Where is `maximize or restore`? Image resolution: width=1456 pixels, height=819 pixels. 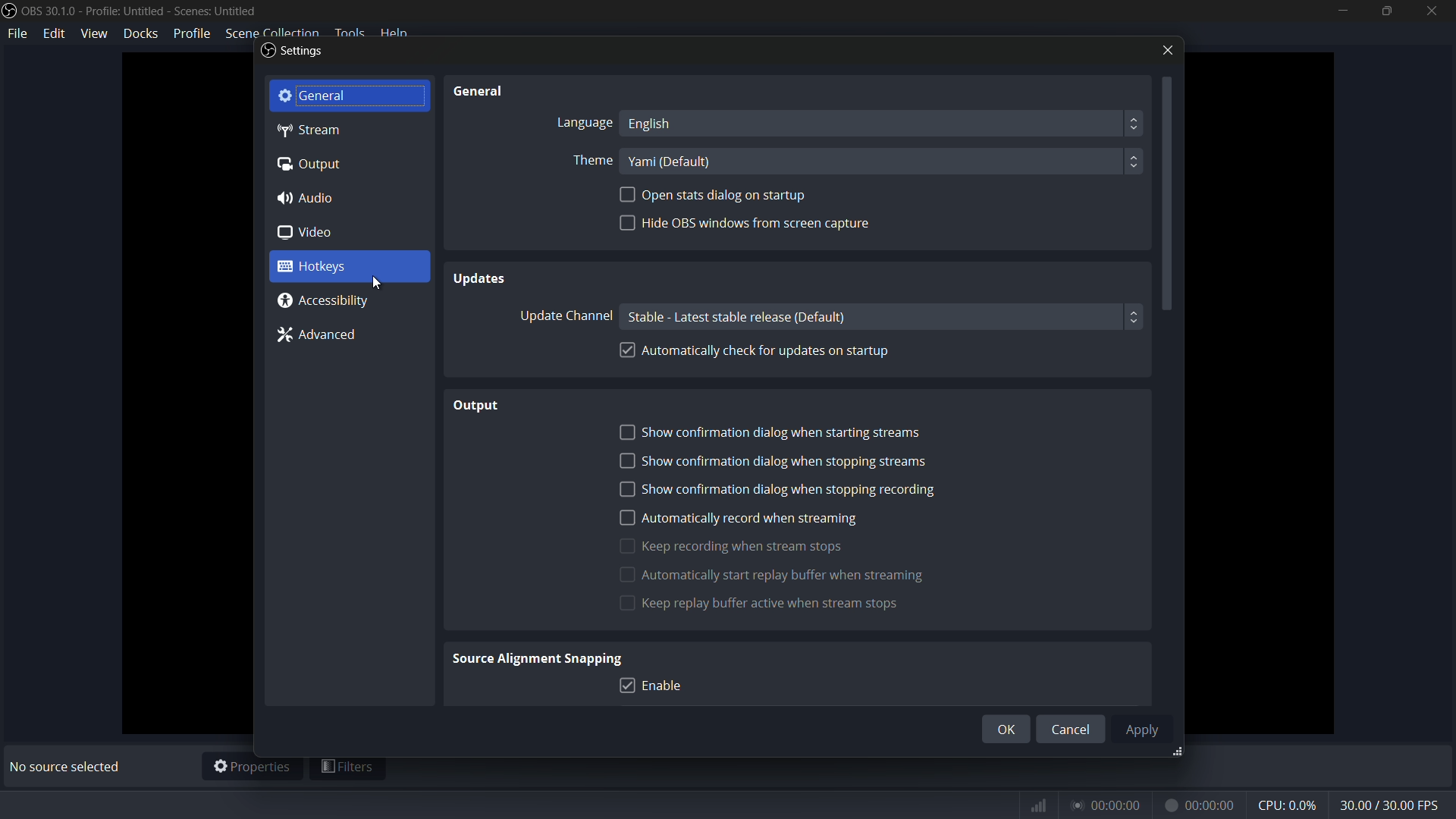 maximize or restore is located at coordinates (1385, 11).